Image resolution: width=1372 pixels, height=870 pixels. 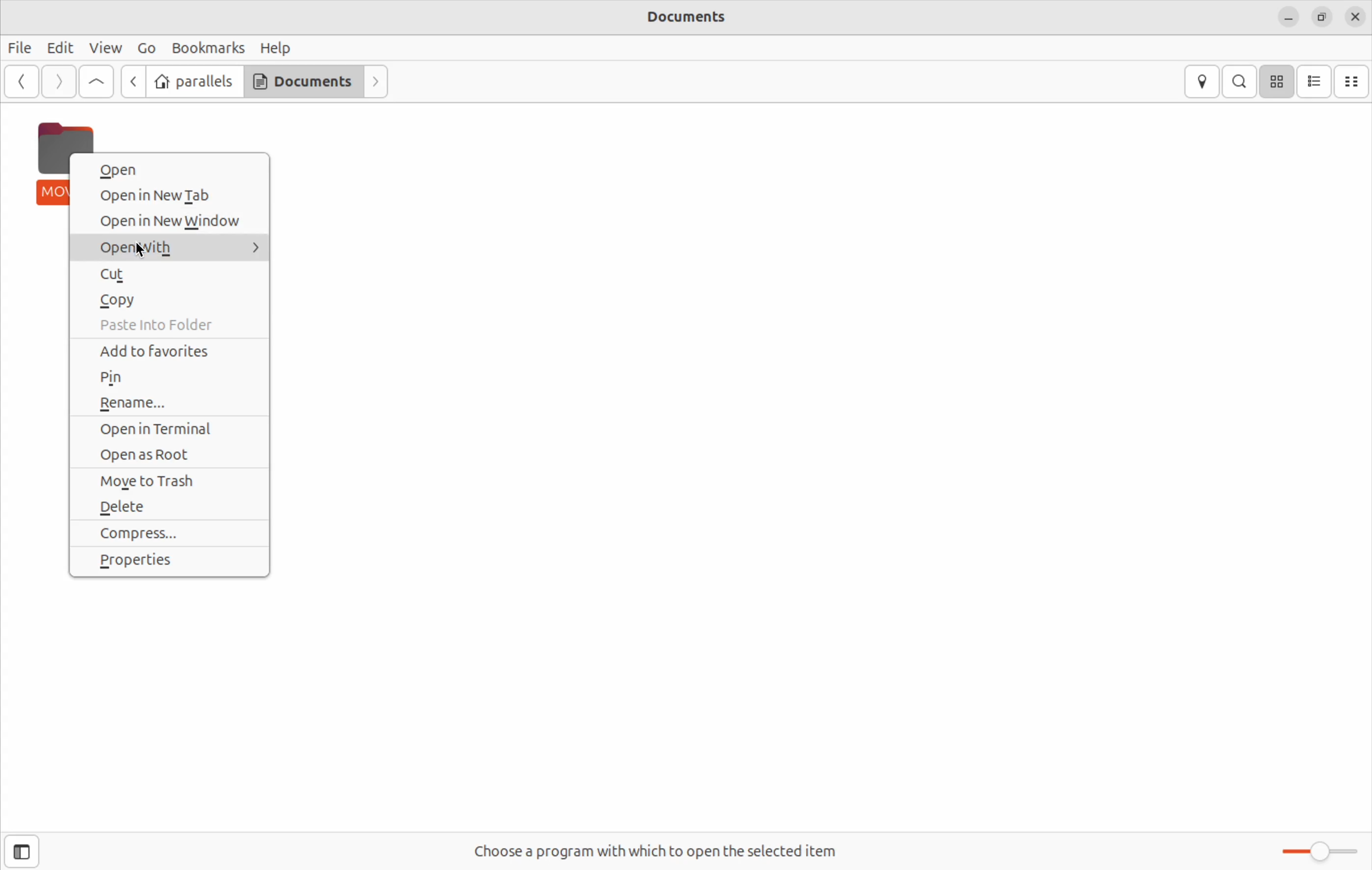 What do you see at coordinates (664, 849) in the screenshot?
I see `Choose a program with which to open the selected item` at bounding box center [664, 849].